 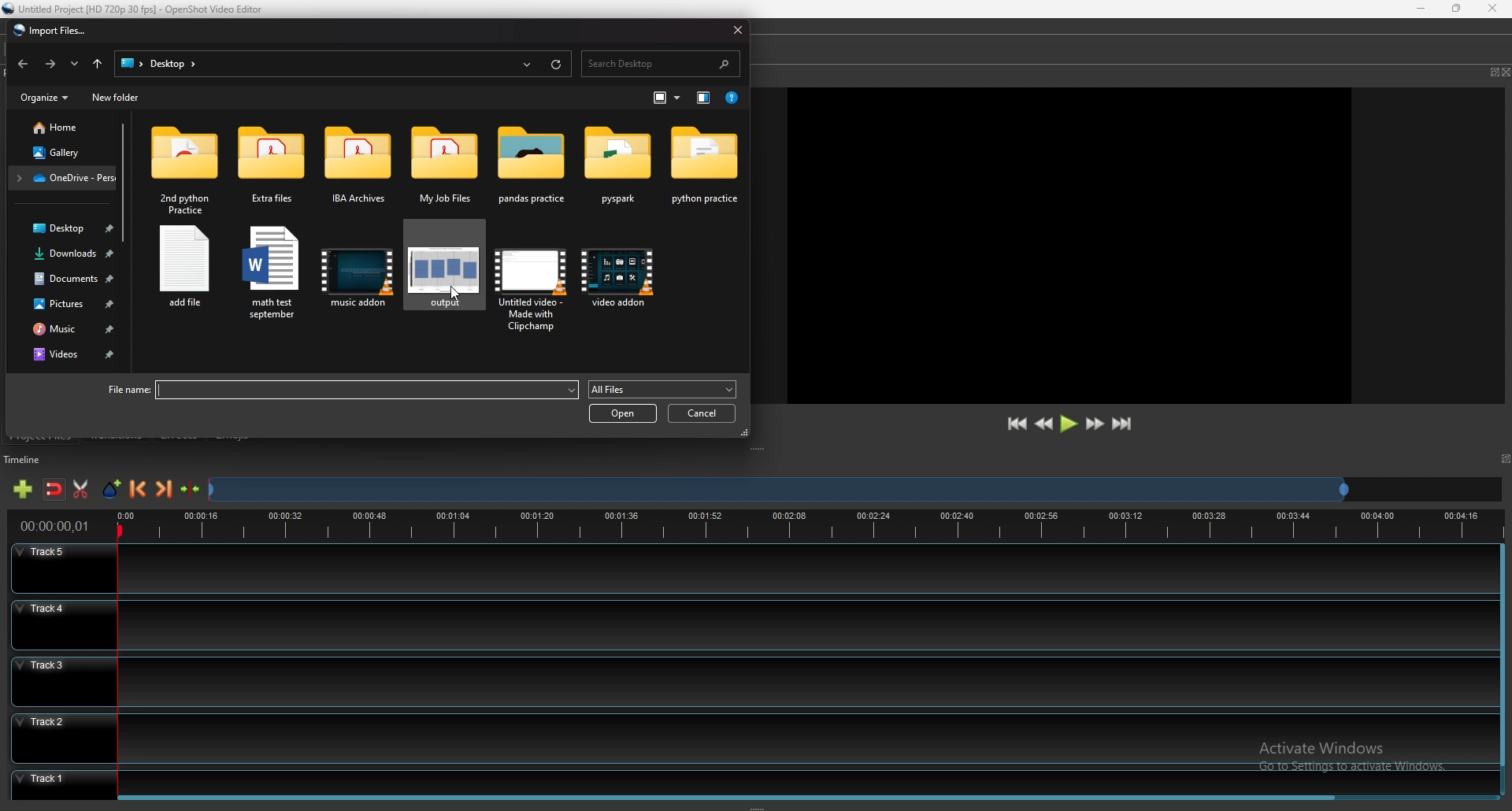 What do you see at coordinates (113, 489) in the screenshot?
I see `add marker` at bounding box center [113, 489].